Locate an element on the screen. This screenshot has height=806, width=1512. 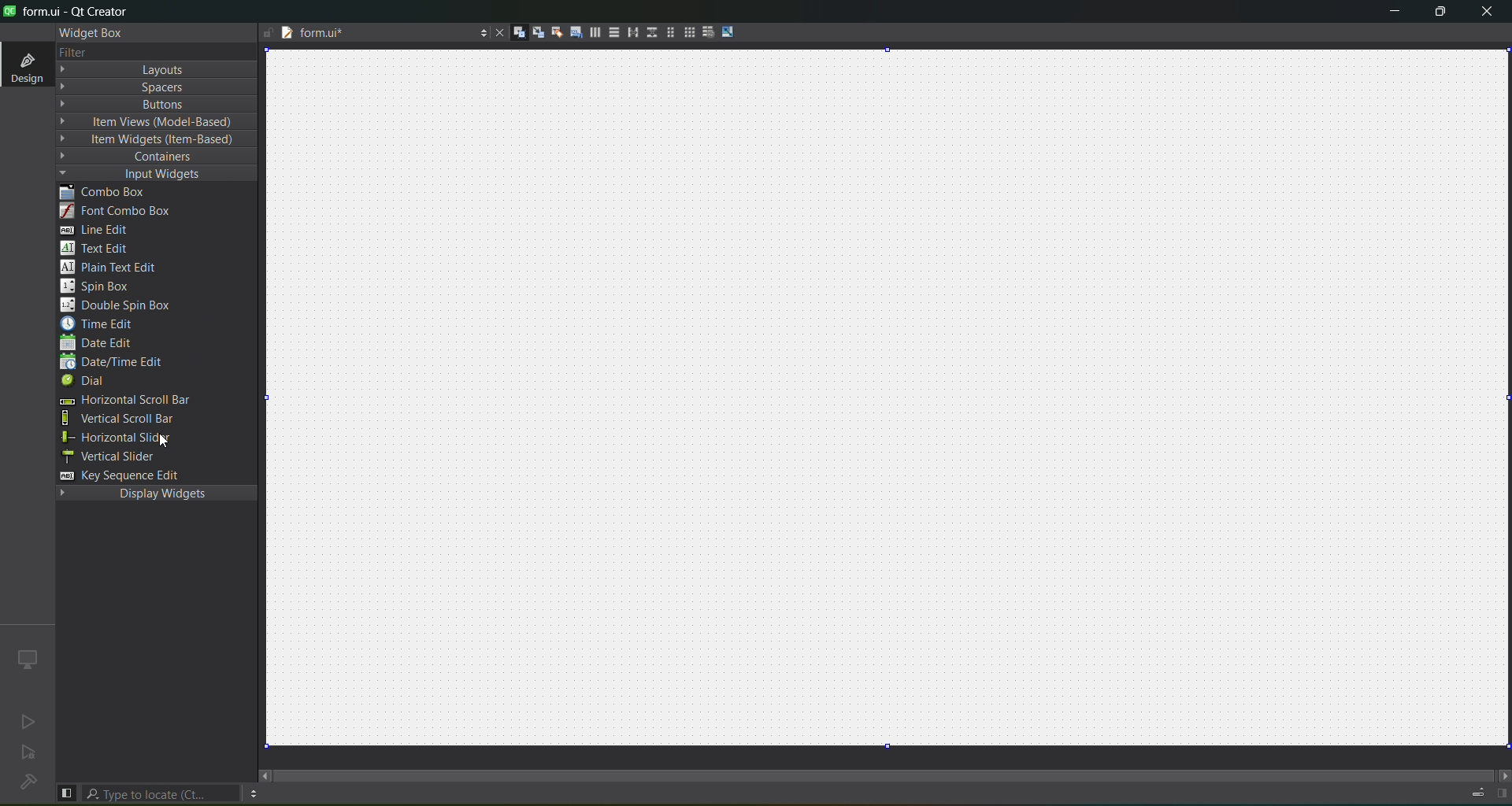
close is located at coordinates (1488, 13).